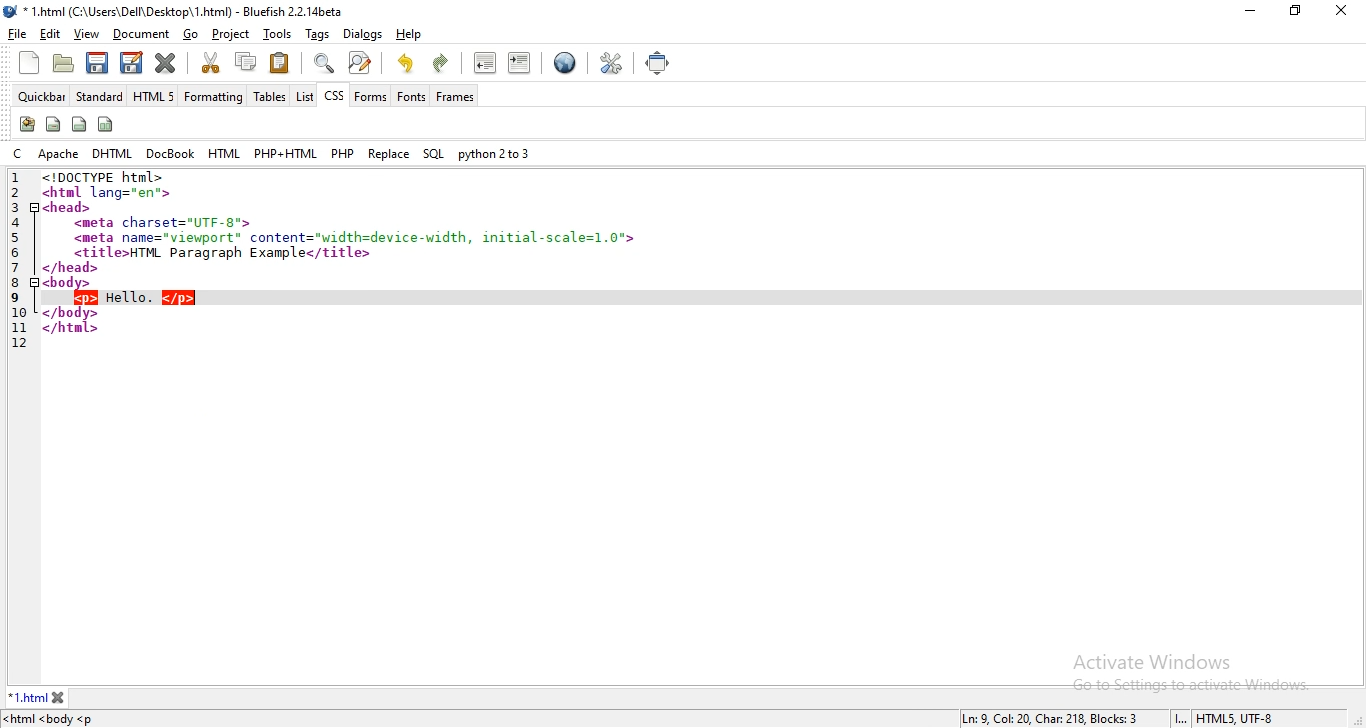 The width and height of the screenshot is (1366, 728). I want to click on <head>, so click(69, 207).